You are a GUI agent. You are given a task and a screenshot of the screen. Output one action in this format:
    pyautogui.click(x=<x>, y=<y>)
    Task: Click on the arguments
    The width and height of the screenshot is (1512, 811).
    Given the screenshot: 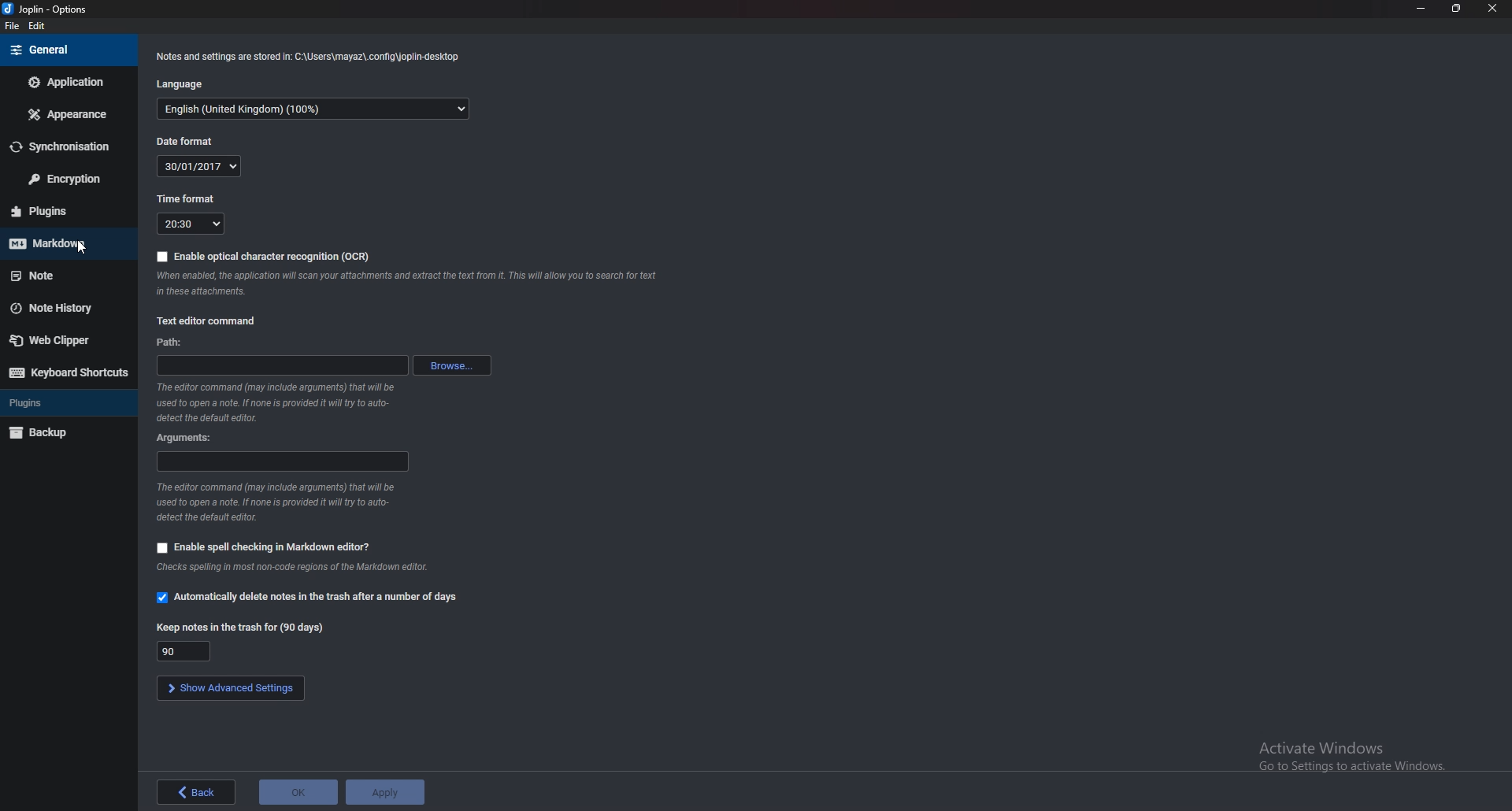 What is the action you would take?
    pyautogui.click(x=186, y=438)
    